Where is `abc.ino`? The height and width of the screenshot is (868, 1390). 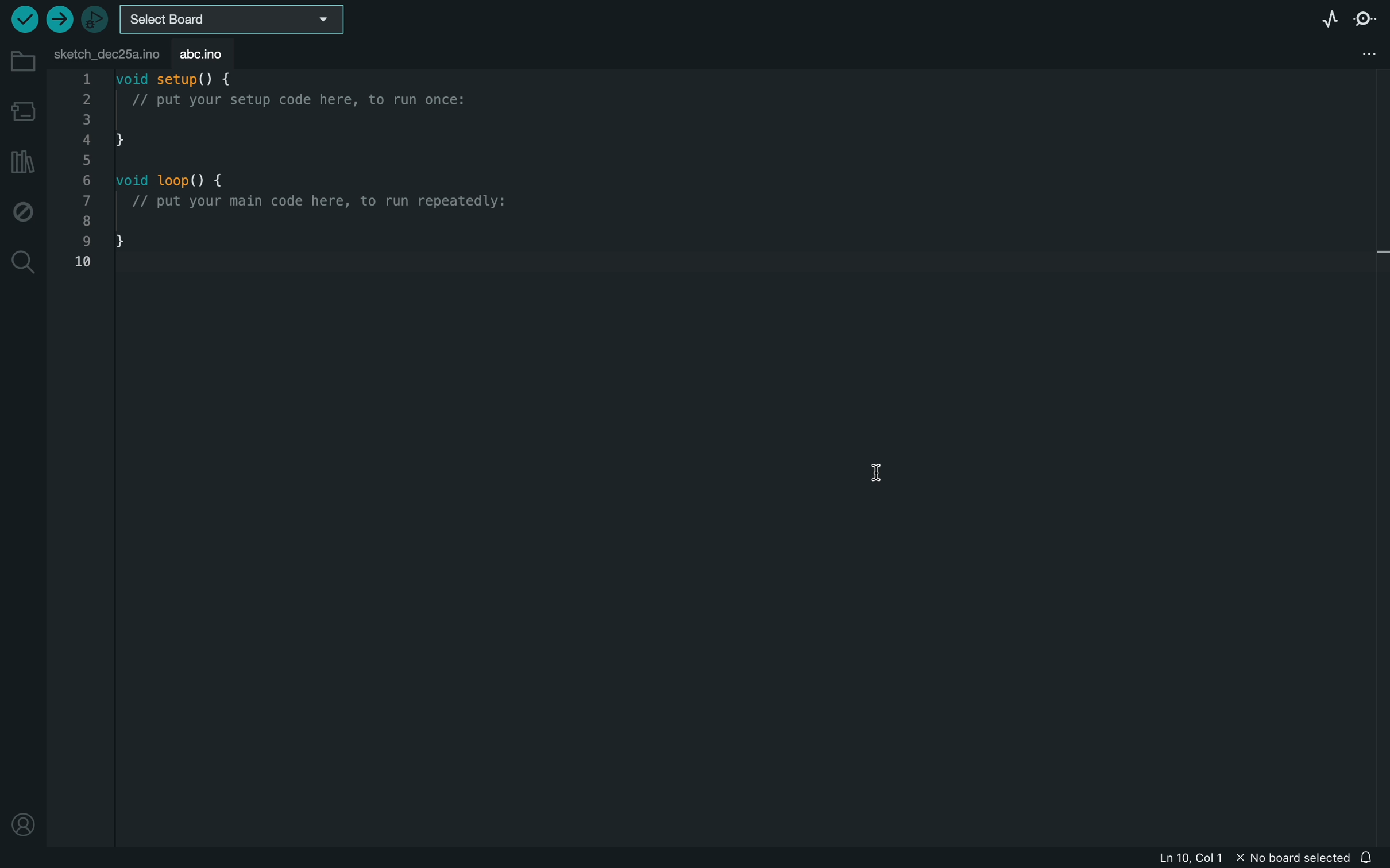
abc.ino is located at coordinates (200, 54).